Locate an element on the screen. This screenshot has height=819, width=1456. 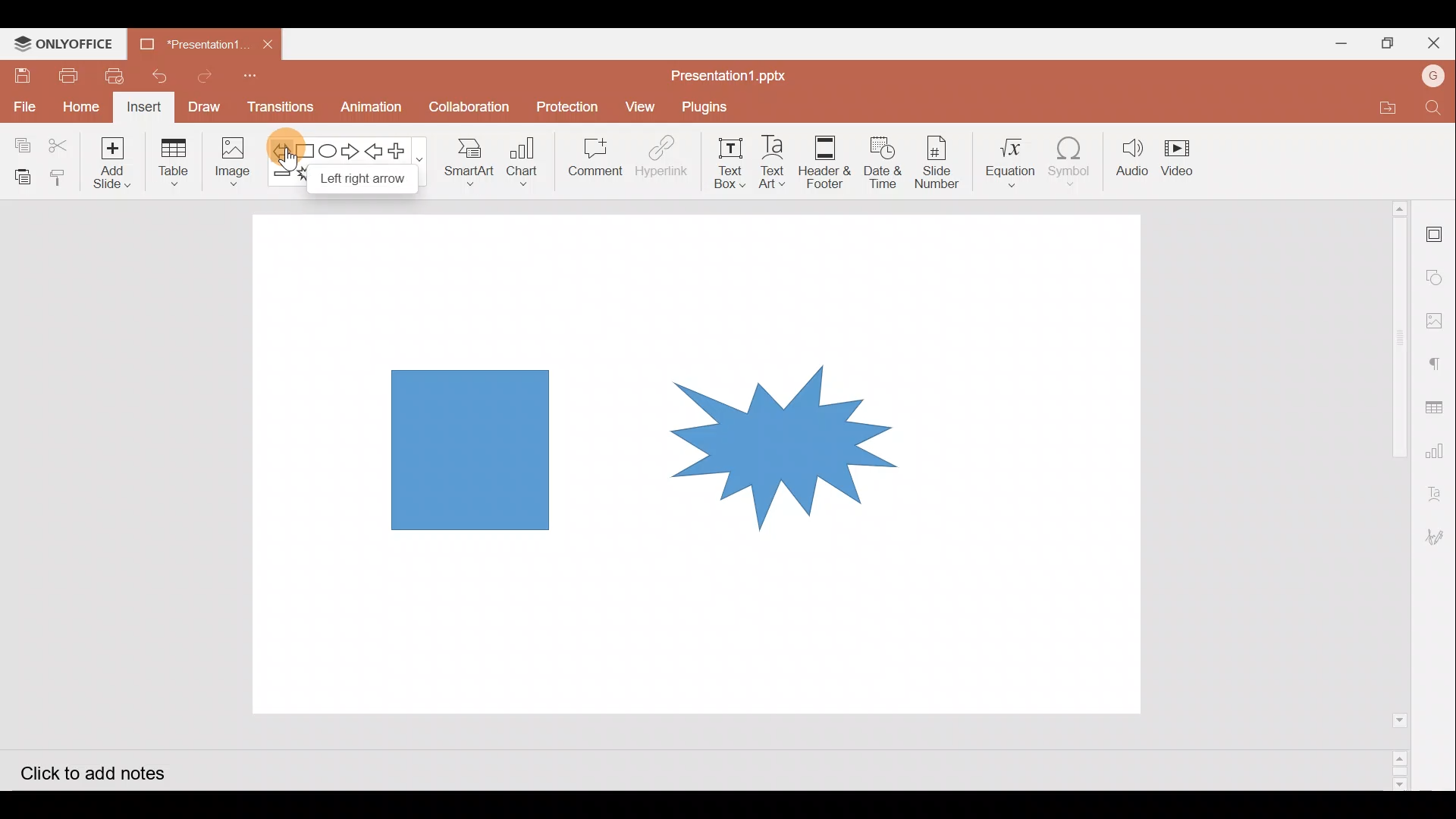
Insert is located at coordinates (145, 108).